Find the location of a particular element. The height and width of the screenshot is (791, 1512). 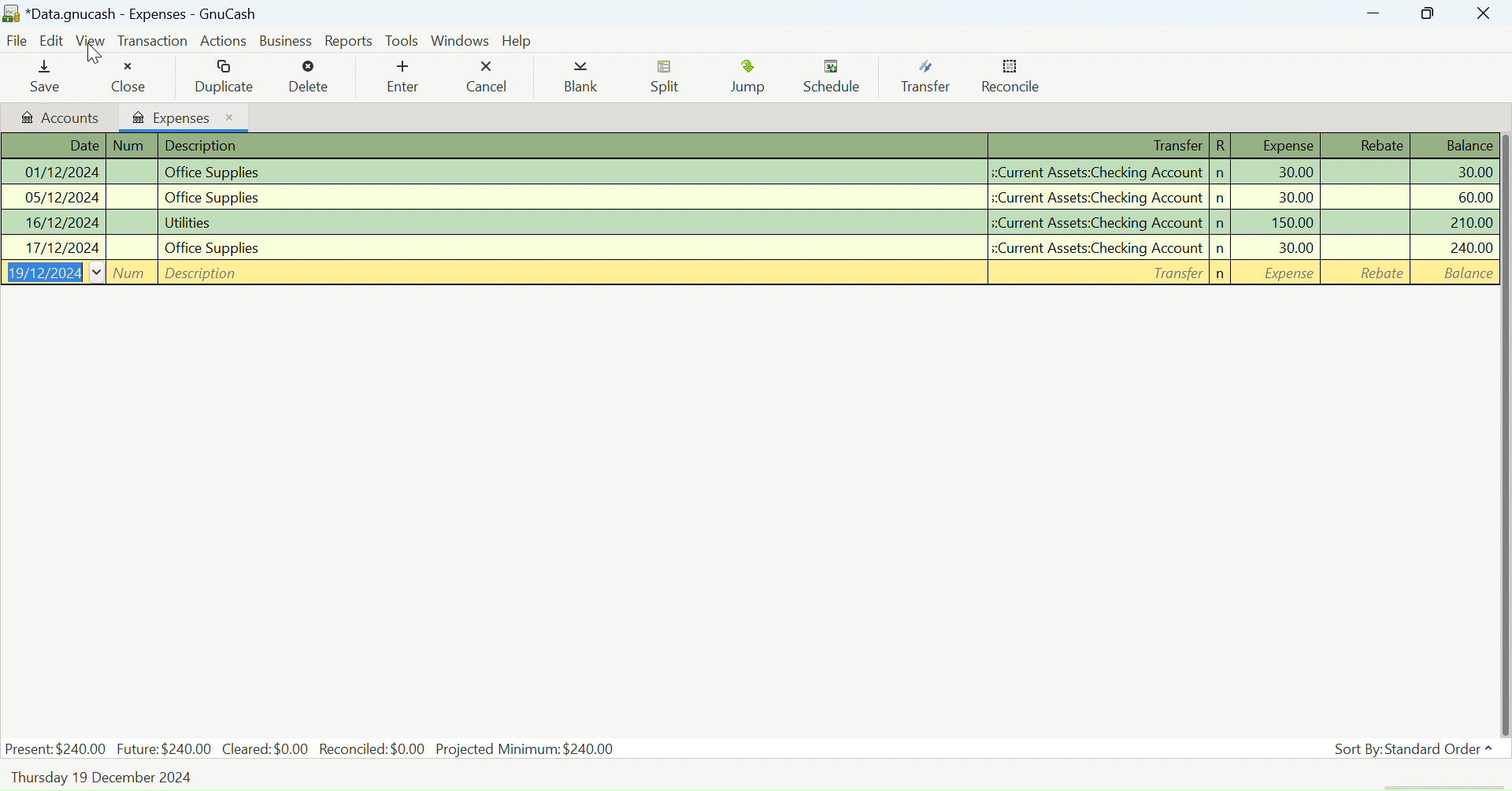

Close is located at coordinates (133, 77).